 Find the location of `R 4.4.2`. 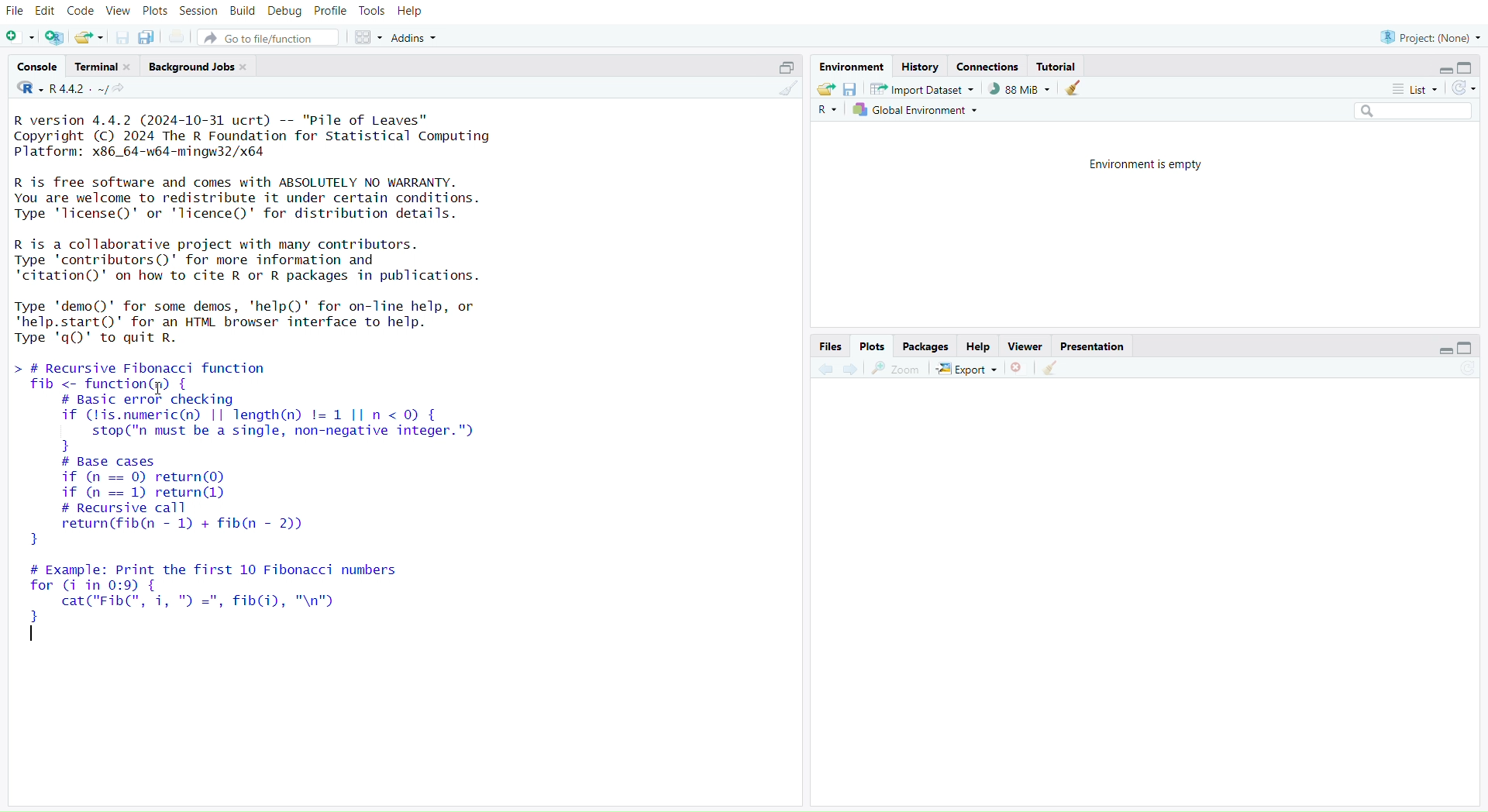

R 4.4.2 is located at coordinates (63, 89).